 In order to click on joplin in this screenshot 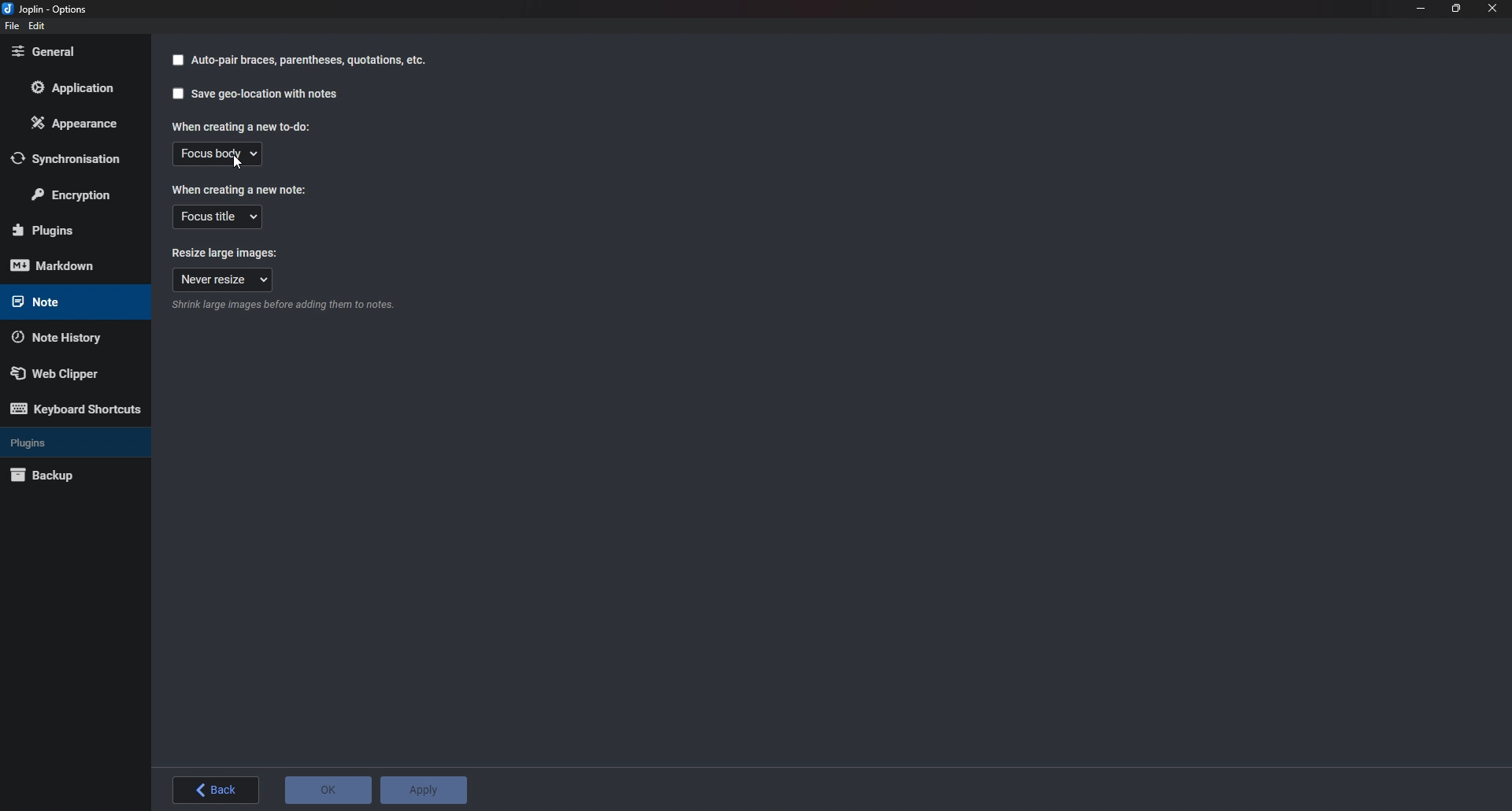, I will do `click(50, 8)`.